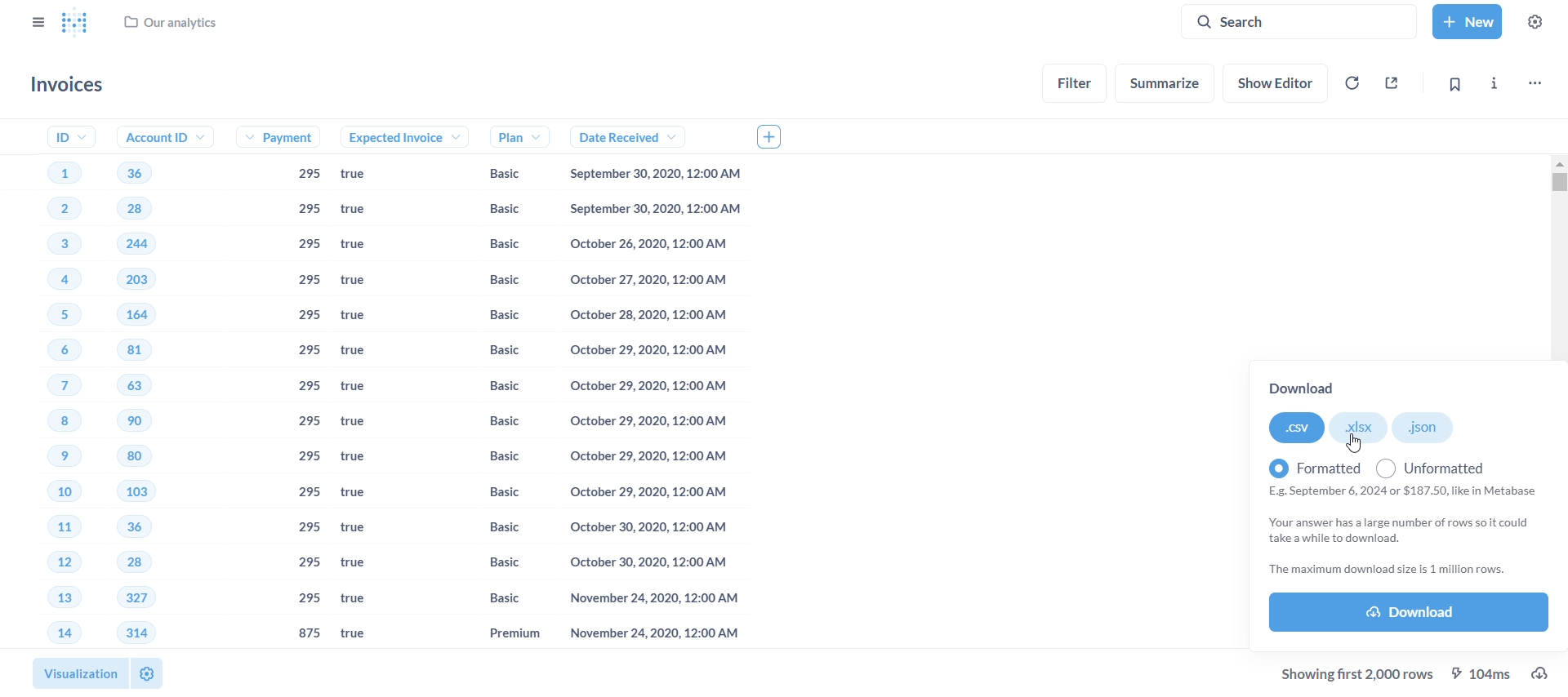 The image size is (1568, 697). What do you see at coordinates (42, 422) in the screenshot?
I see `8` at bounding box center [42, 422].